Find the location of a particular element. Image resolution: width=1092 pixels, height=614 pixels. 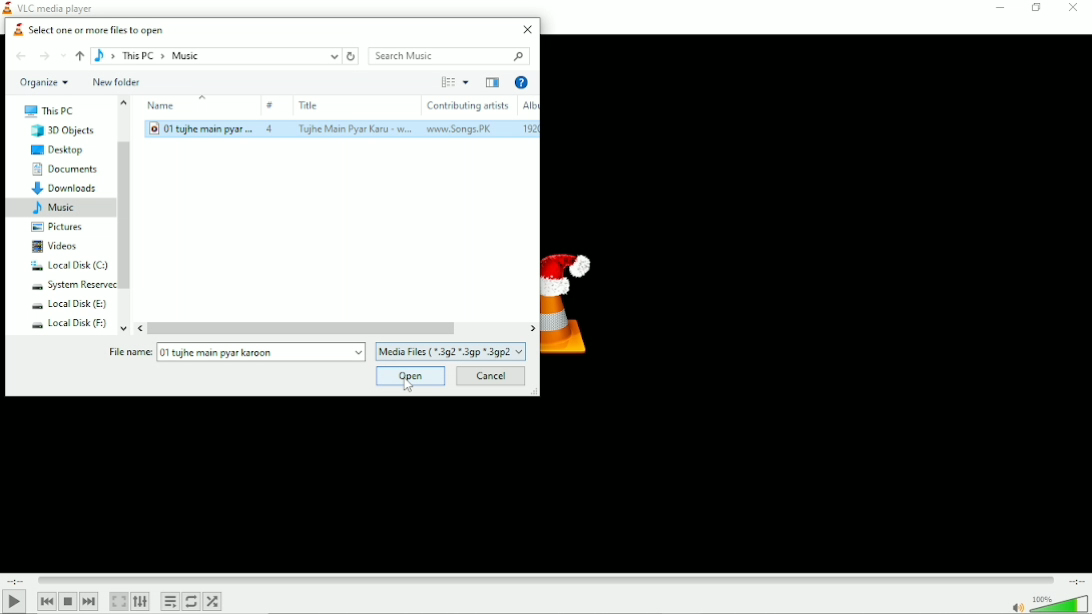

Title is located at coordinates (354, 105).